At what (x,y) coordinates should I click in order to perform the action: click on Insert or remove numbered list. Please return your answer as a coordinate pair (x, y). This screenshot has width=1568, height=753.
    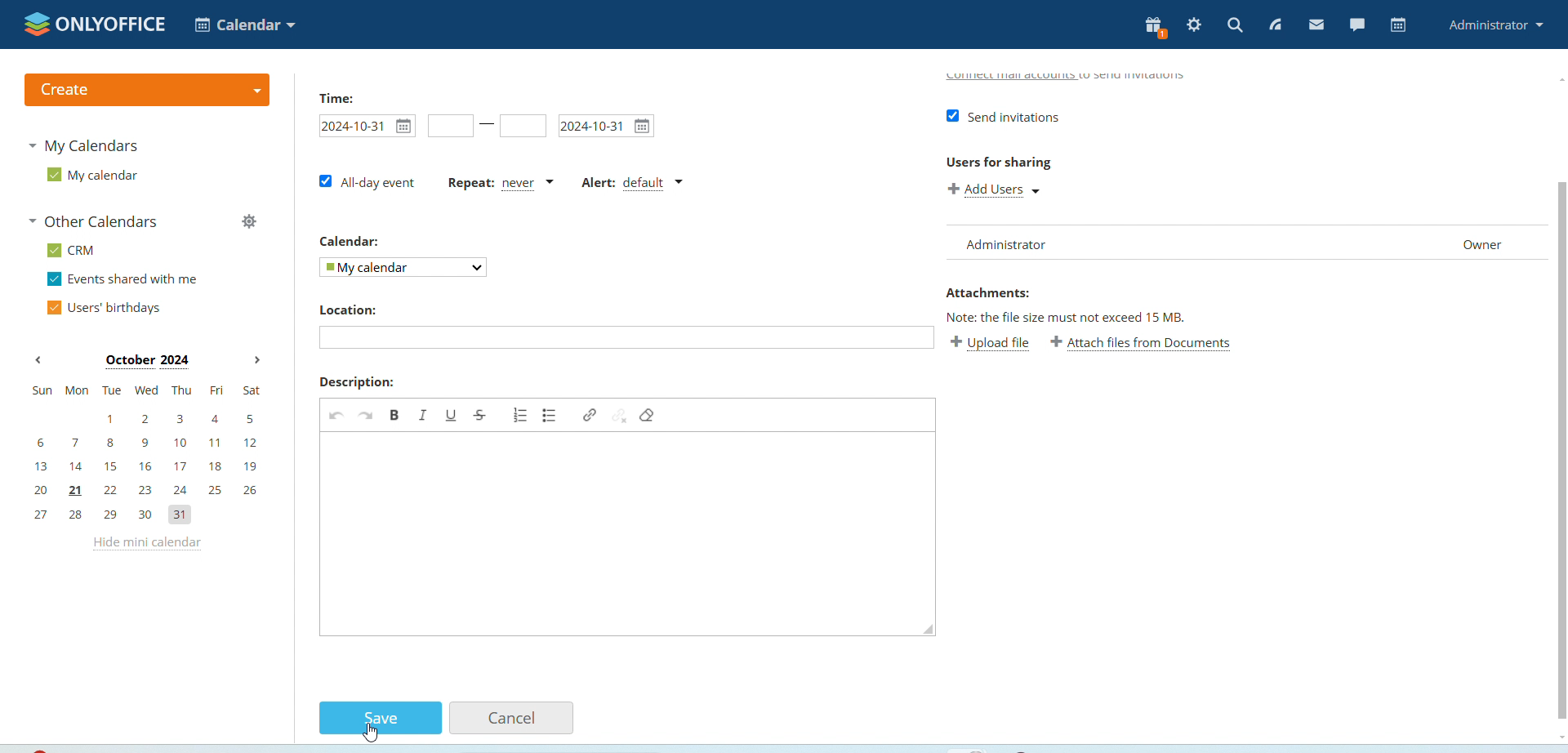
    Looking at the image, I should click on (520, 414).